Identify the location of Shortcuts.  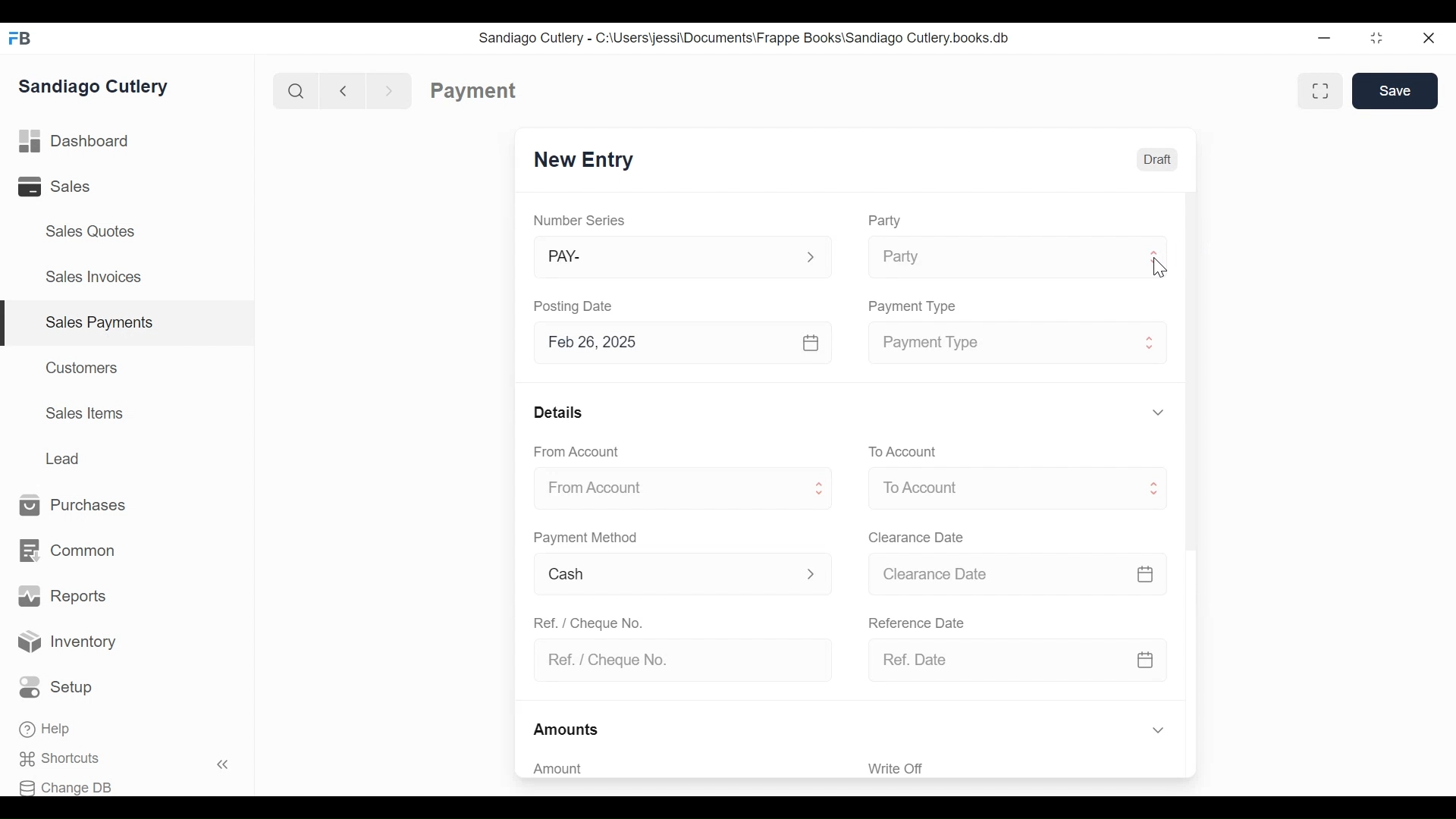
(69, 759).